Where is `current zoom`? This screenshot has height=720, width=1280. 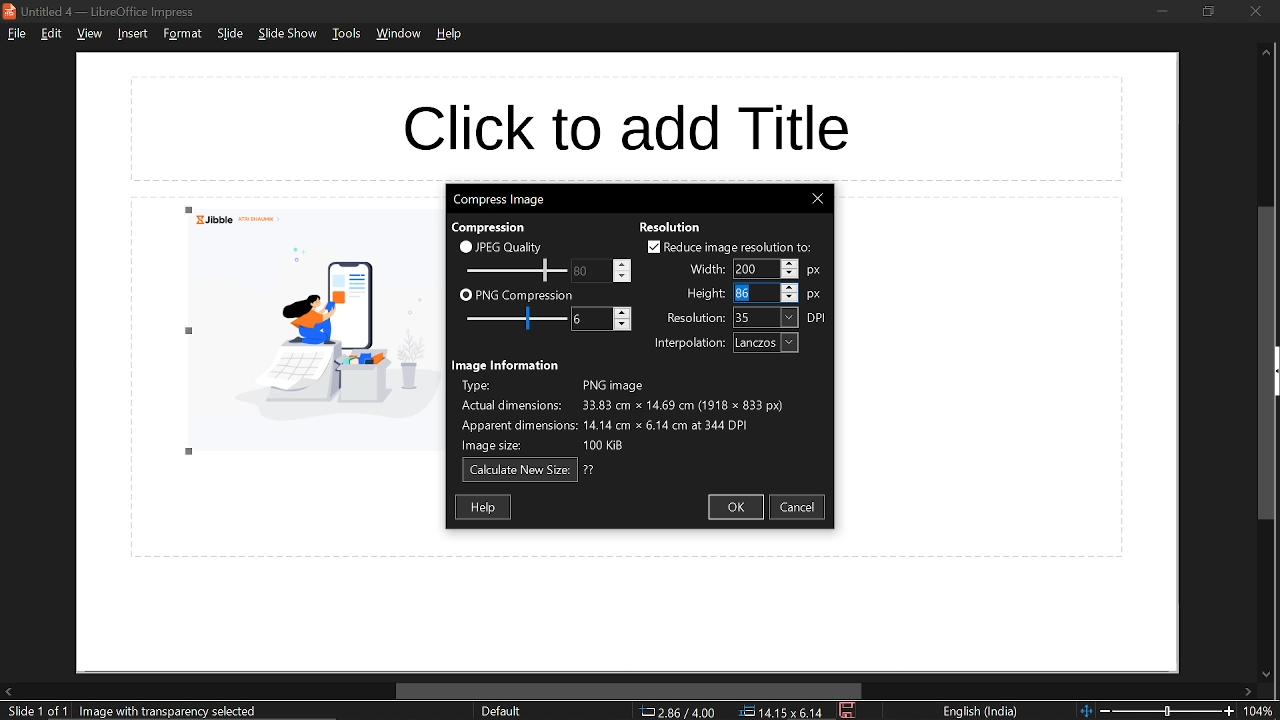 current zoom is located at coordinates (1262, 712).